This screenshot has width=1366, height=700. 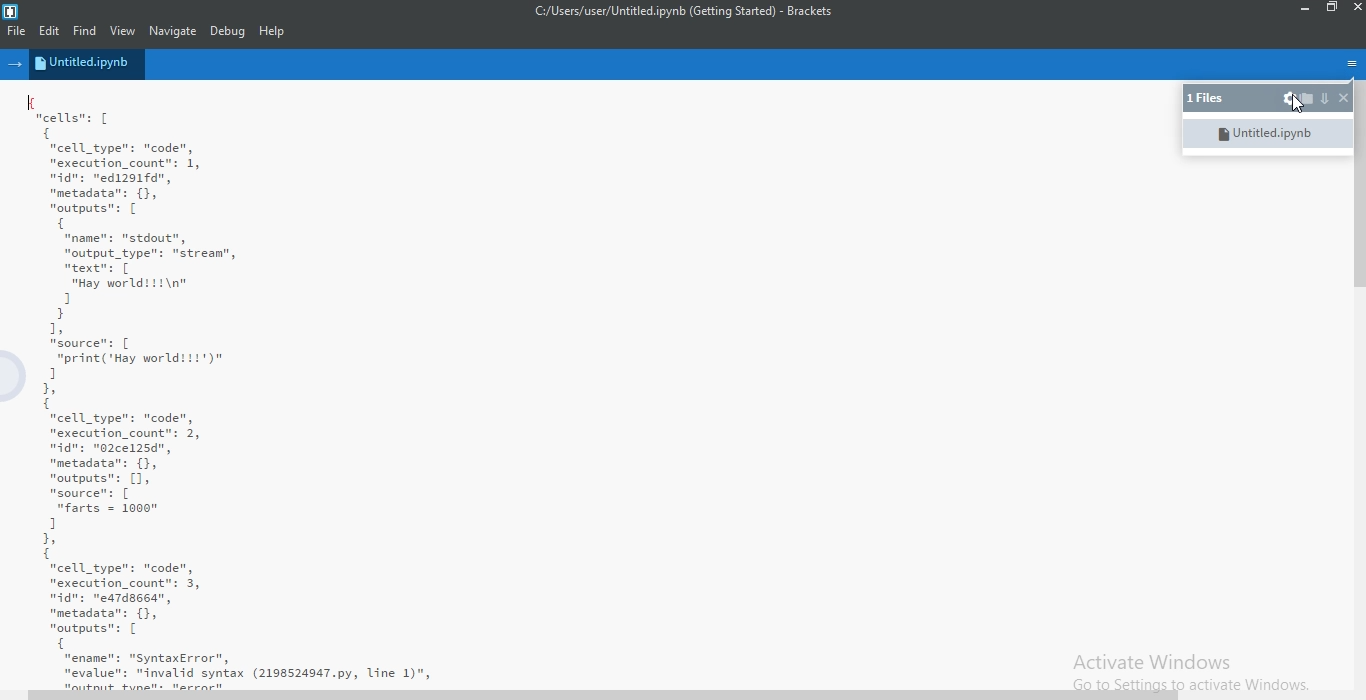 What do you see at coordinates (89, 31) in the screenshot?
I see `Find` at bounding box center [89, 31].